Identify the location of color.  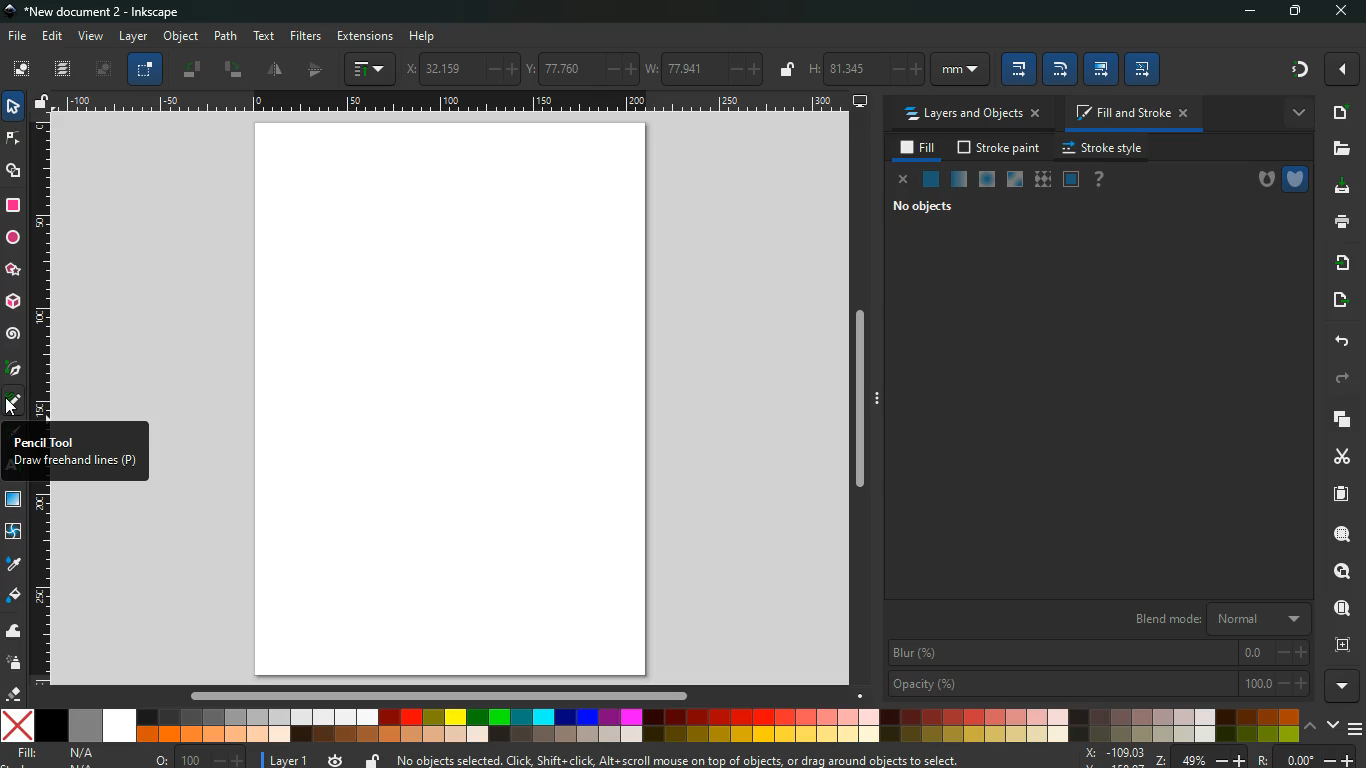
(649, 725).